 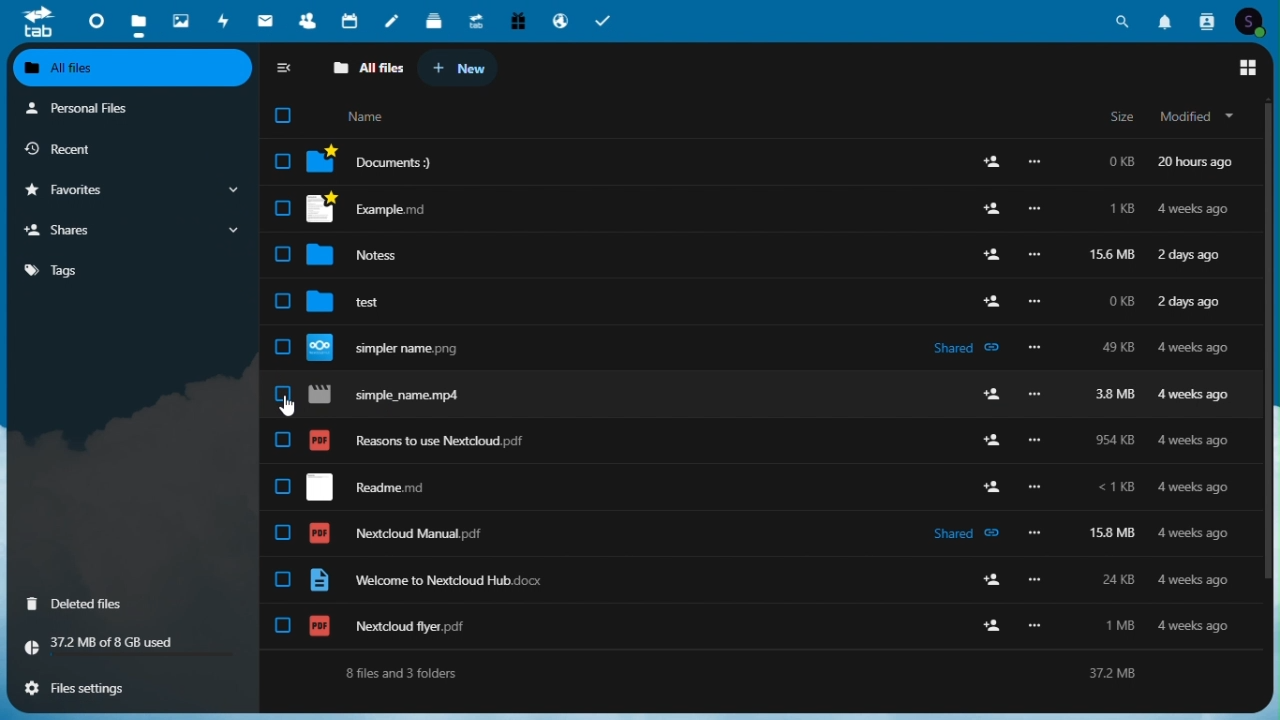 I want to click on Contacts, so click(x=309, y=22).